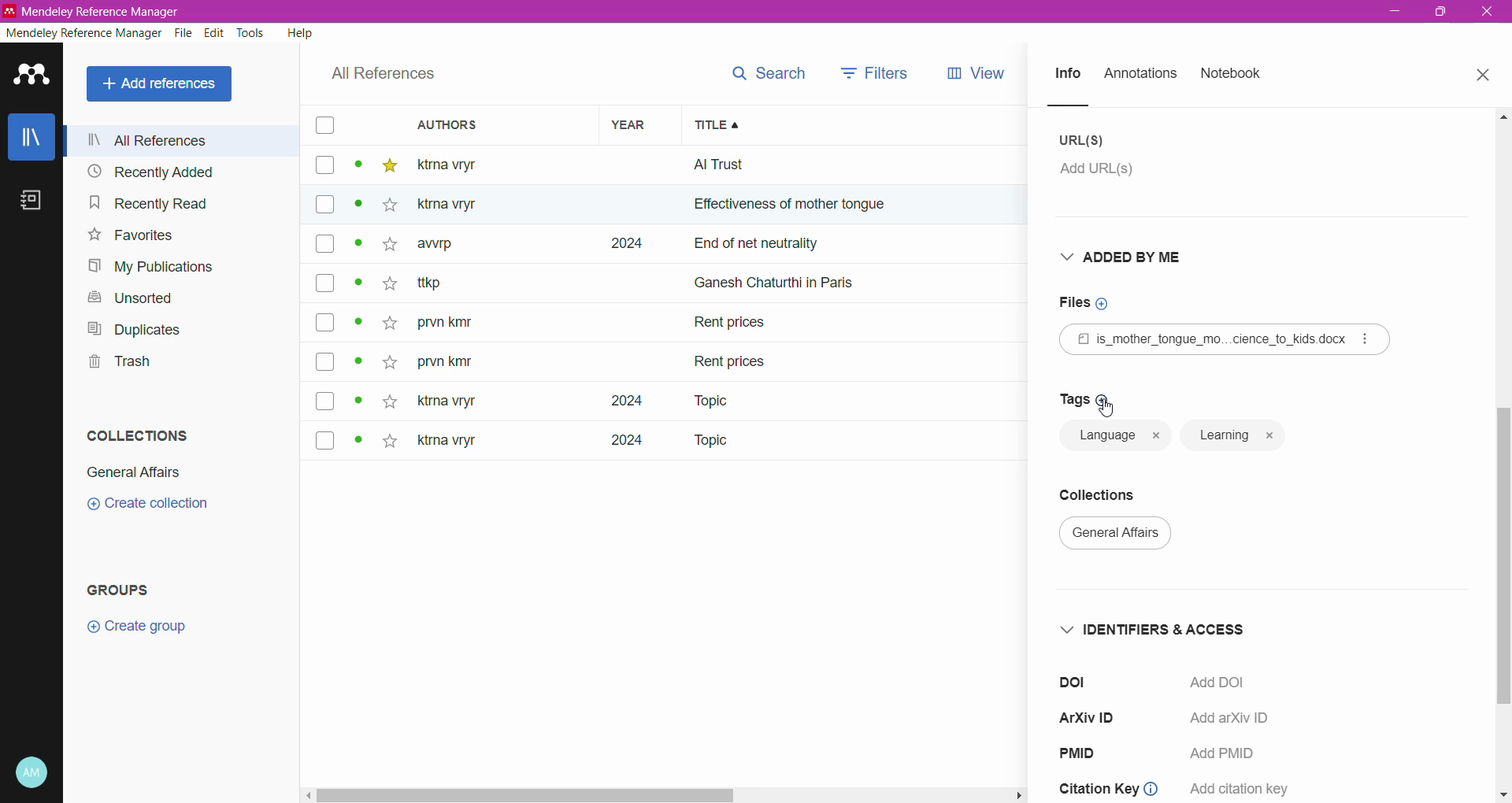 Image resolution: width=1512 pixels, height=803 pixels. I want to click on Account and Help, so click(32, 773).